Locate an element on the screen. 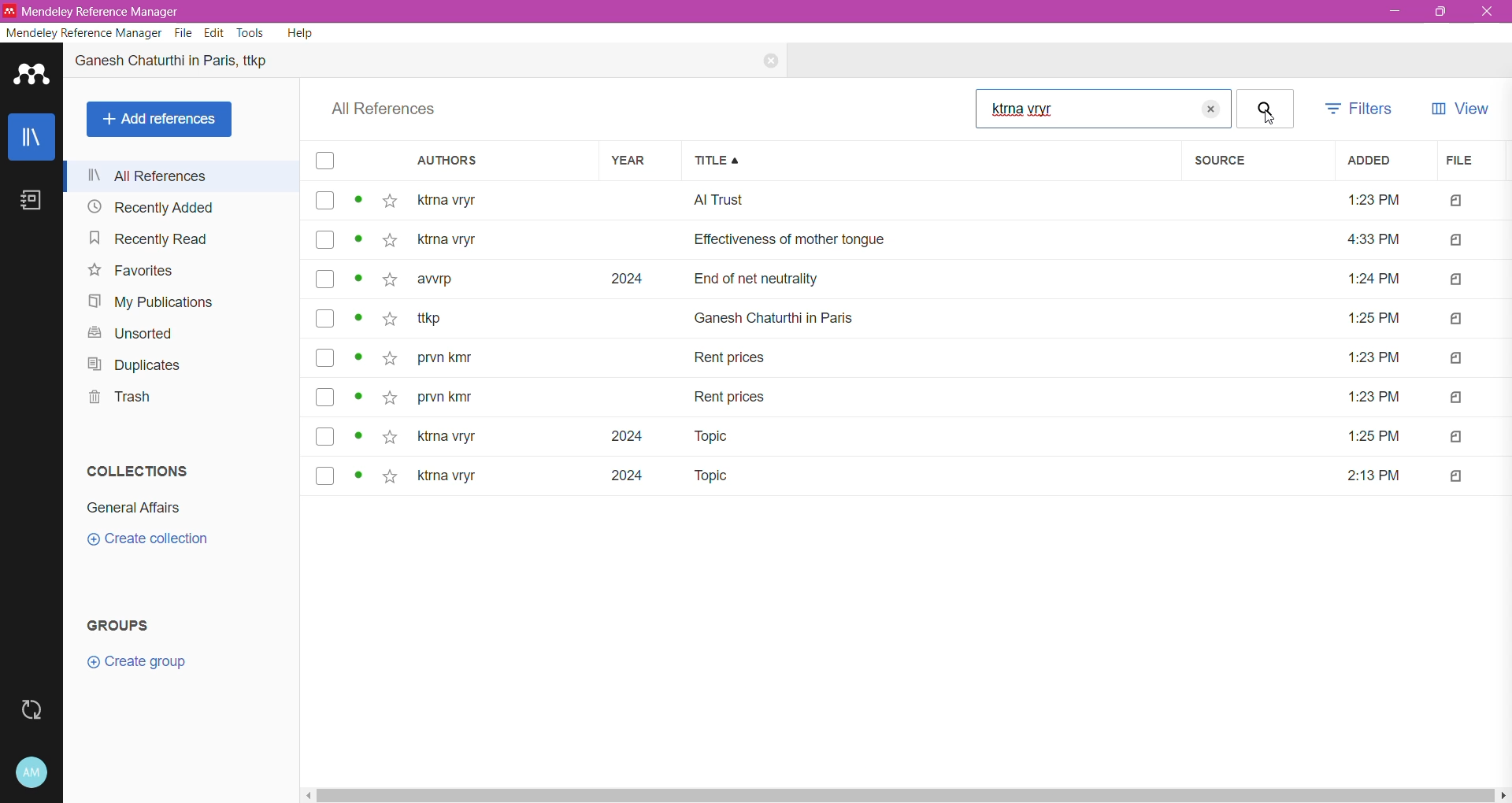 This screenshot has width=1512, height=803. Duplicates is located at coordinates (132, 365).